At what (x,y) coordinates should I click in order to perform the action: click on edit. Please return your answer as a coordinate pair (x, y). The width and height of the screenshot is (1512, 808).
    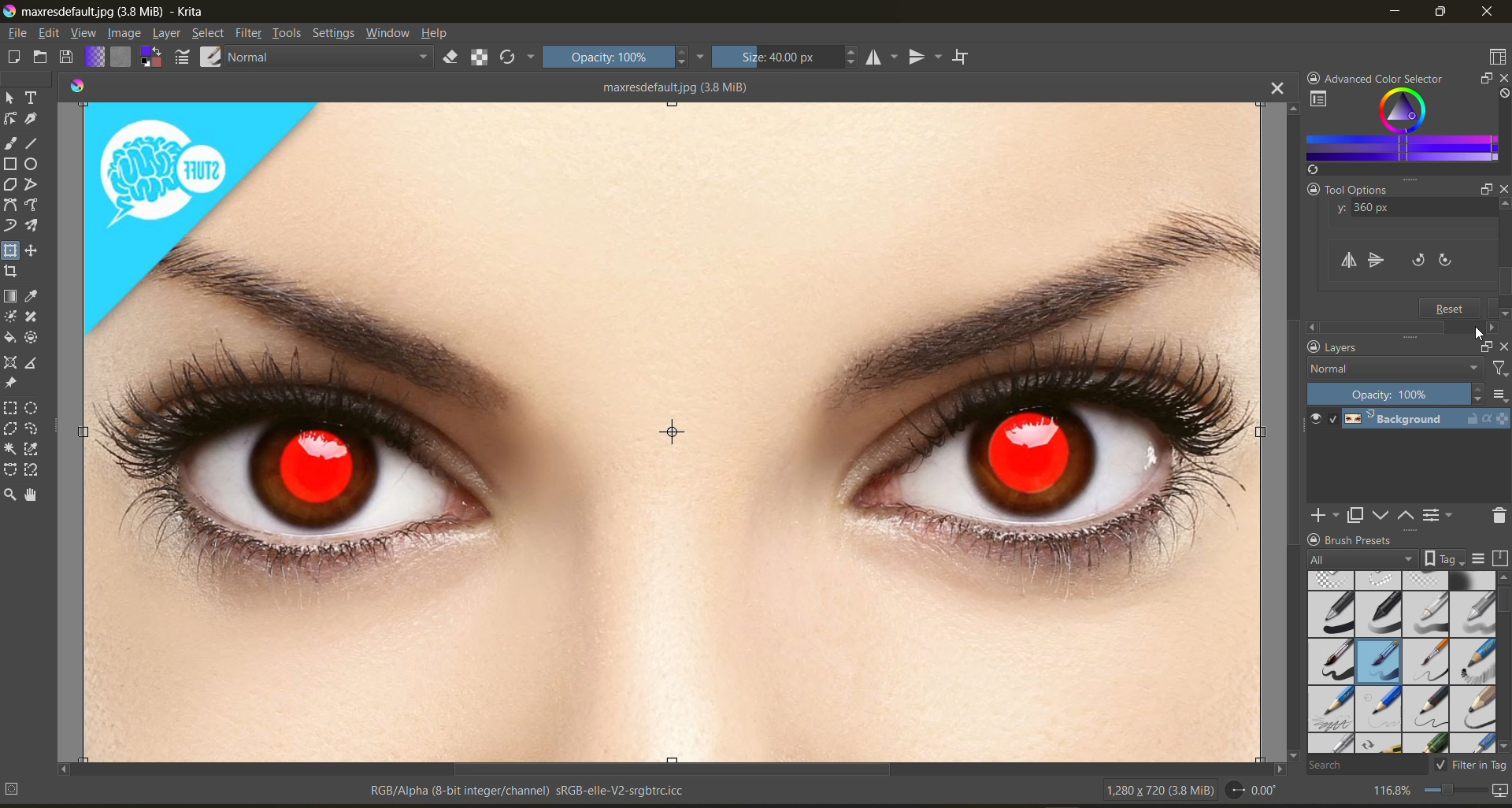
    Looking at the image, I should click on (54, 34).